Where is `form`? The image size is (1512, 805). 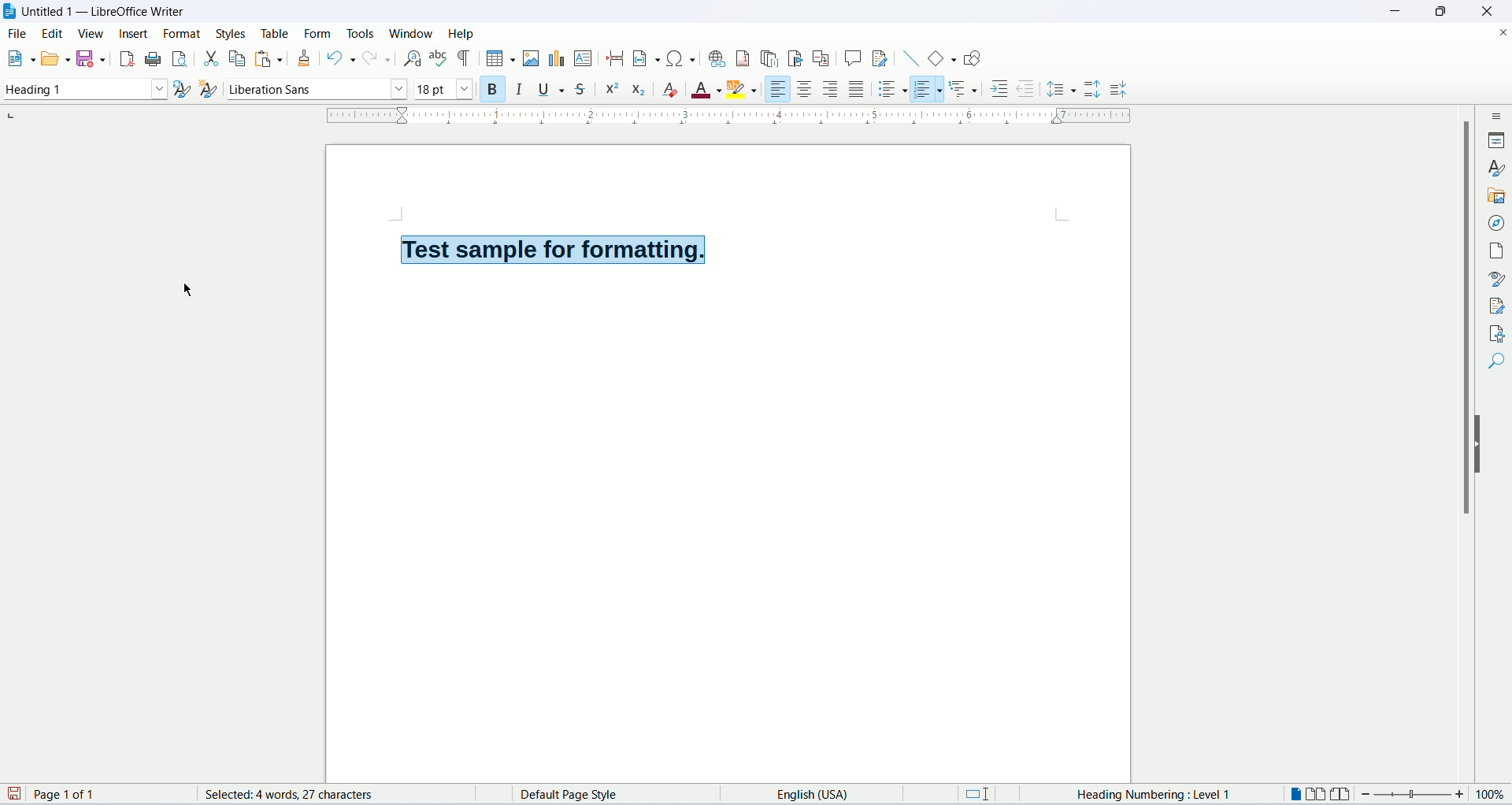
form is located at coordinates (320, 33).